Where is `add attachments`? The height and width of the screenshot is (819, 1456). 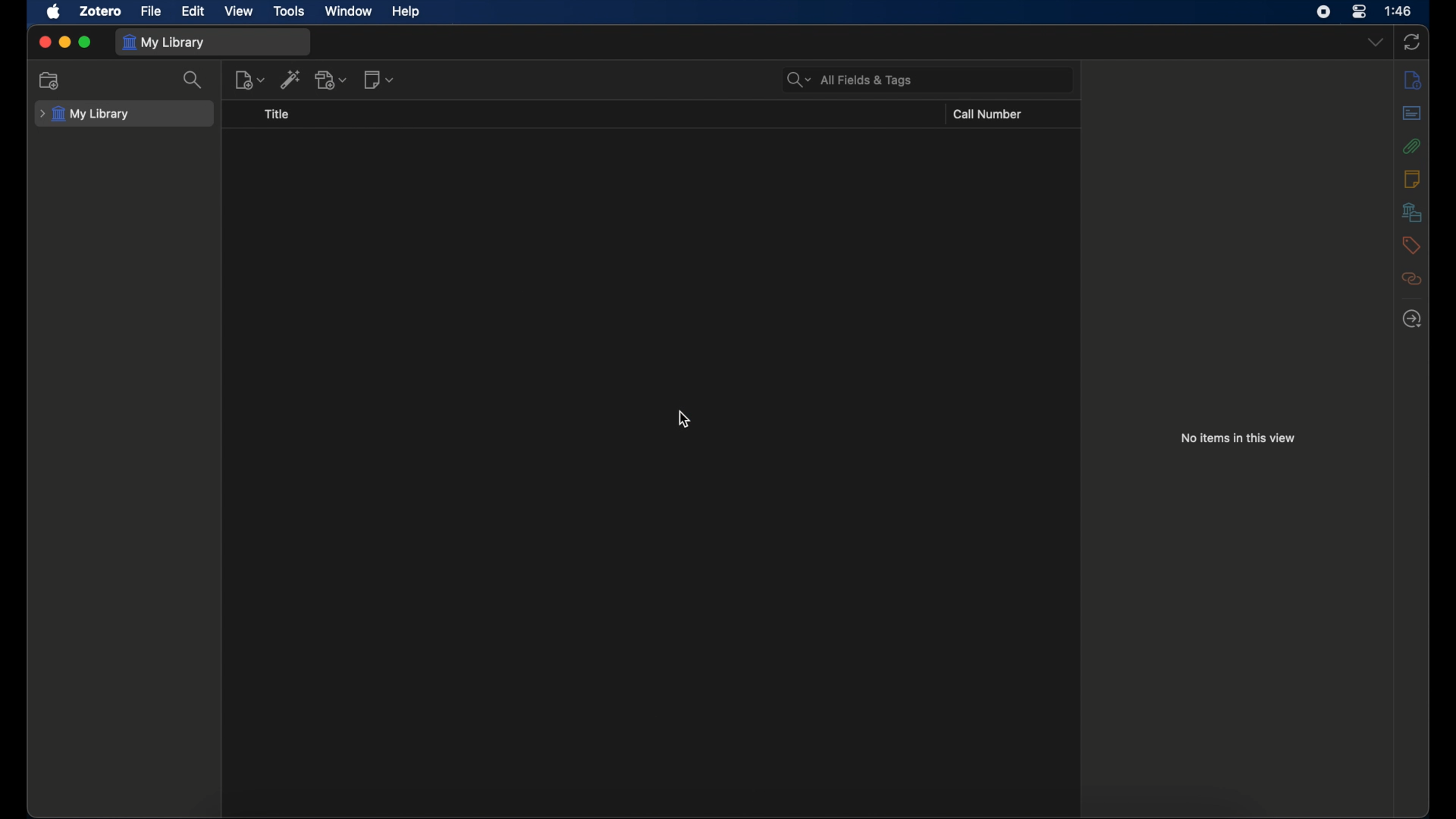
add attachments is located at coordinates (332, 80).